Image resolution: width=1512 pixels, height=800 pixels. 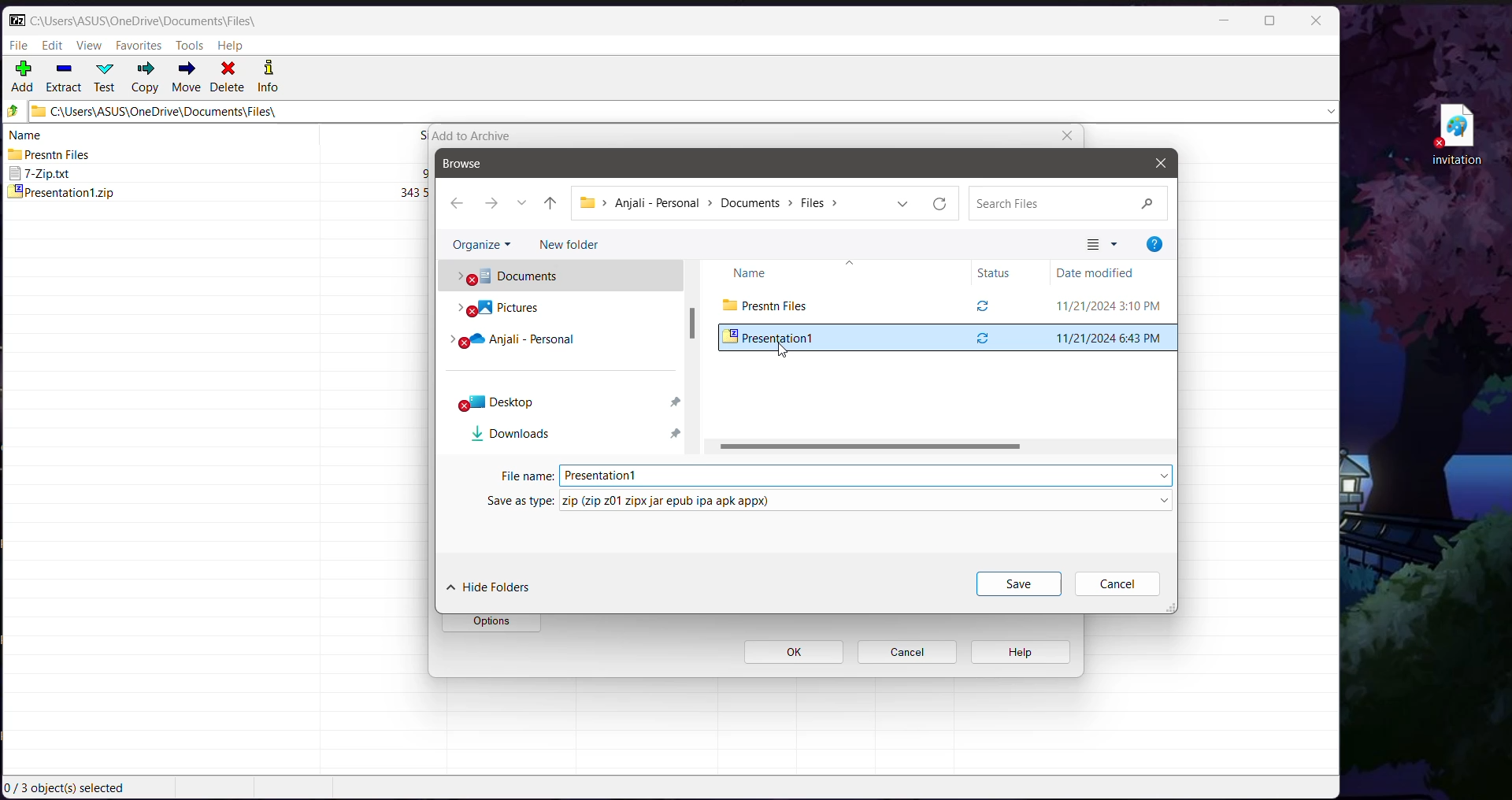 I want to click on Hide Folders, so click(x=488, y=586).